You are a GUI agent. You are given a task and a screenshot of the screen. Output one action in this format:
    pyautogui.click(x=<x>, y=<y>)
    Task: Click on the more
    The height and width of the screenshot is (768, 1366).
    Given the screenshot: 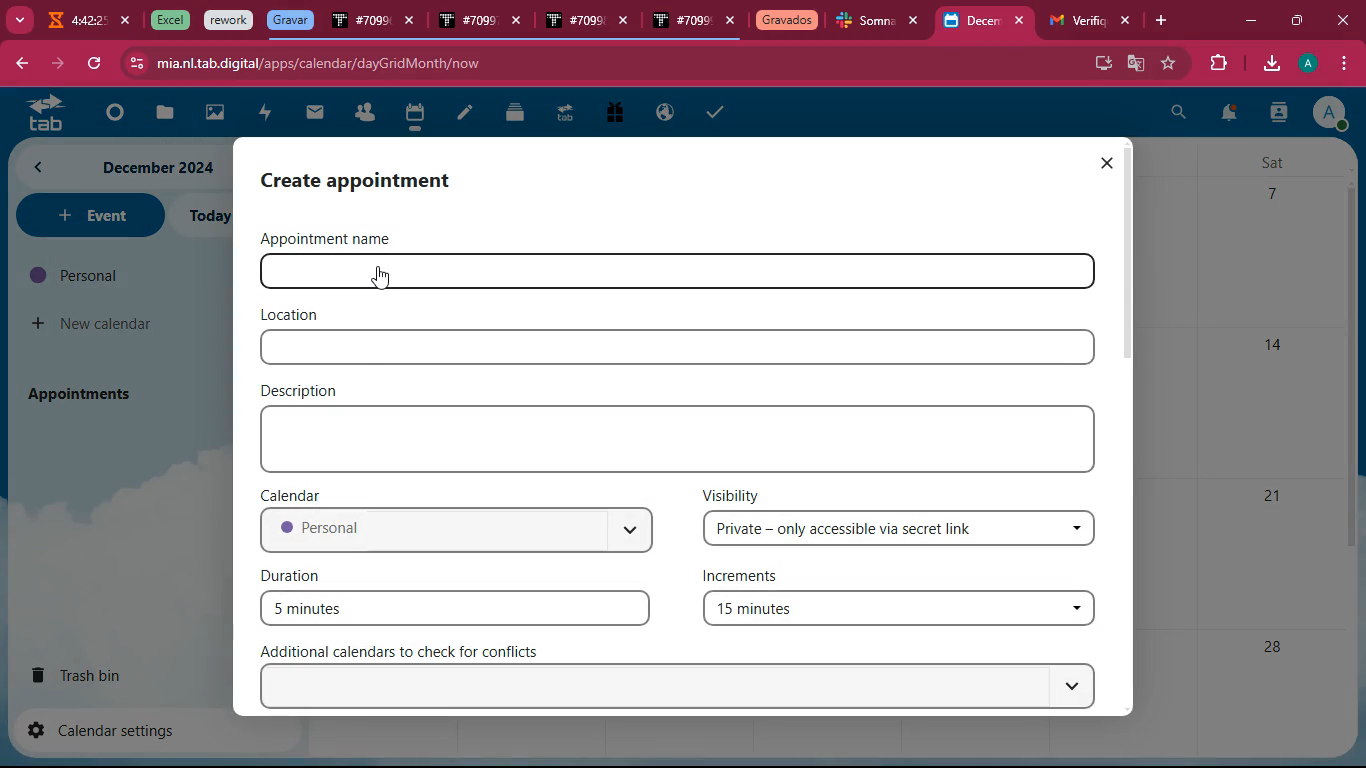 What is the action you would take?
    pyautogui.click(x=18, y=18)
    